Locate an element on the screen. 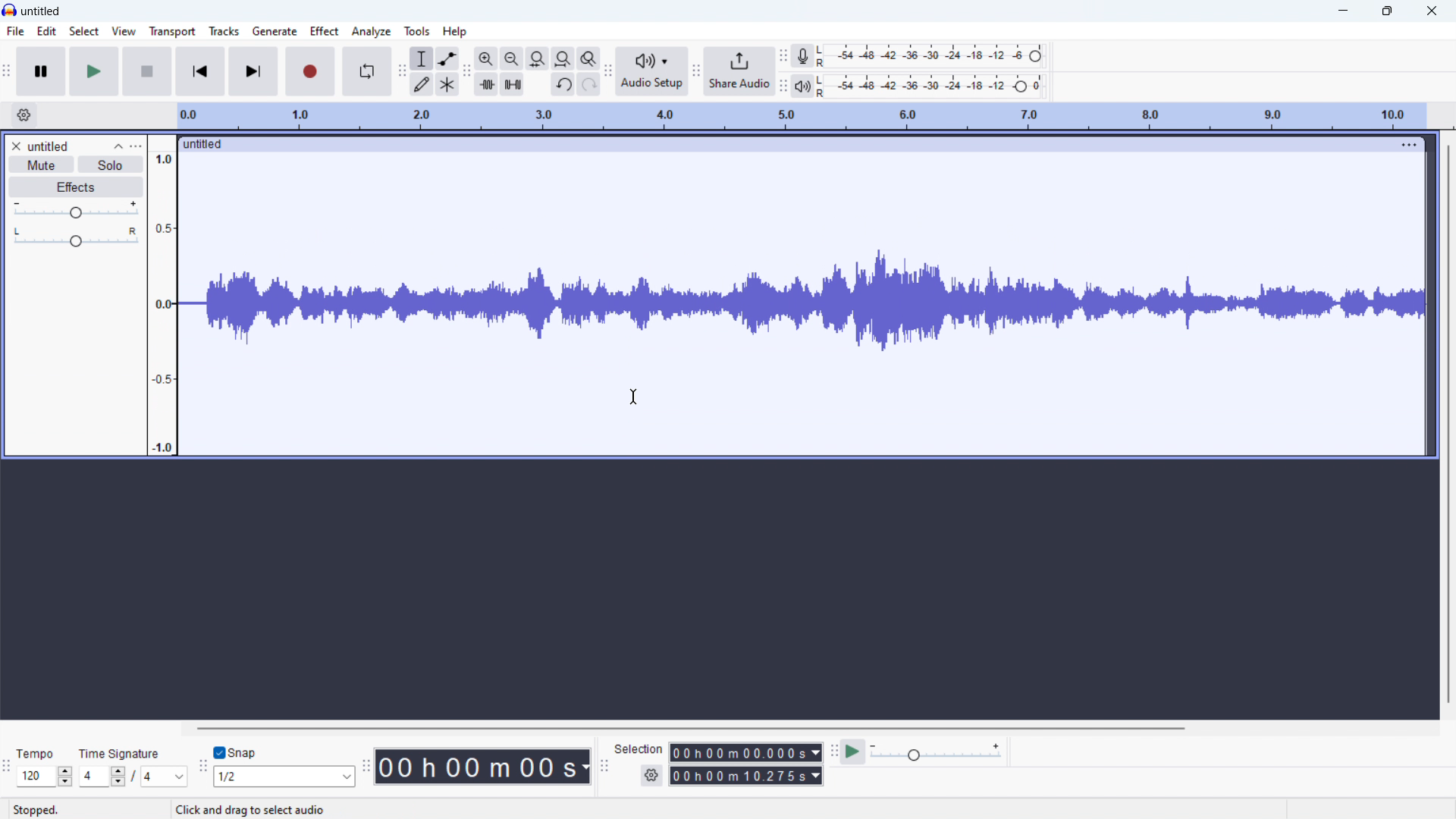 This screenshot has width=1456, height=819. tools toolbar is located at coordinates (401, 73).